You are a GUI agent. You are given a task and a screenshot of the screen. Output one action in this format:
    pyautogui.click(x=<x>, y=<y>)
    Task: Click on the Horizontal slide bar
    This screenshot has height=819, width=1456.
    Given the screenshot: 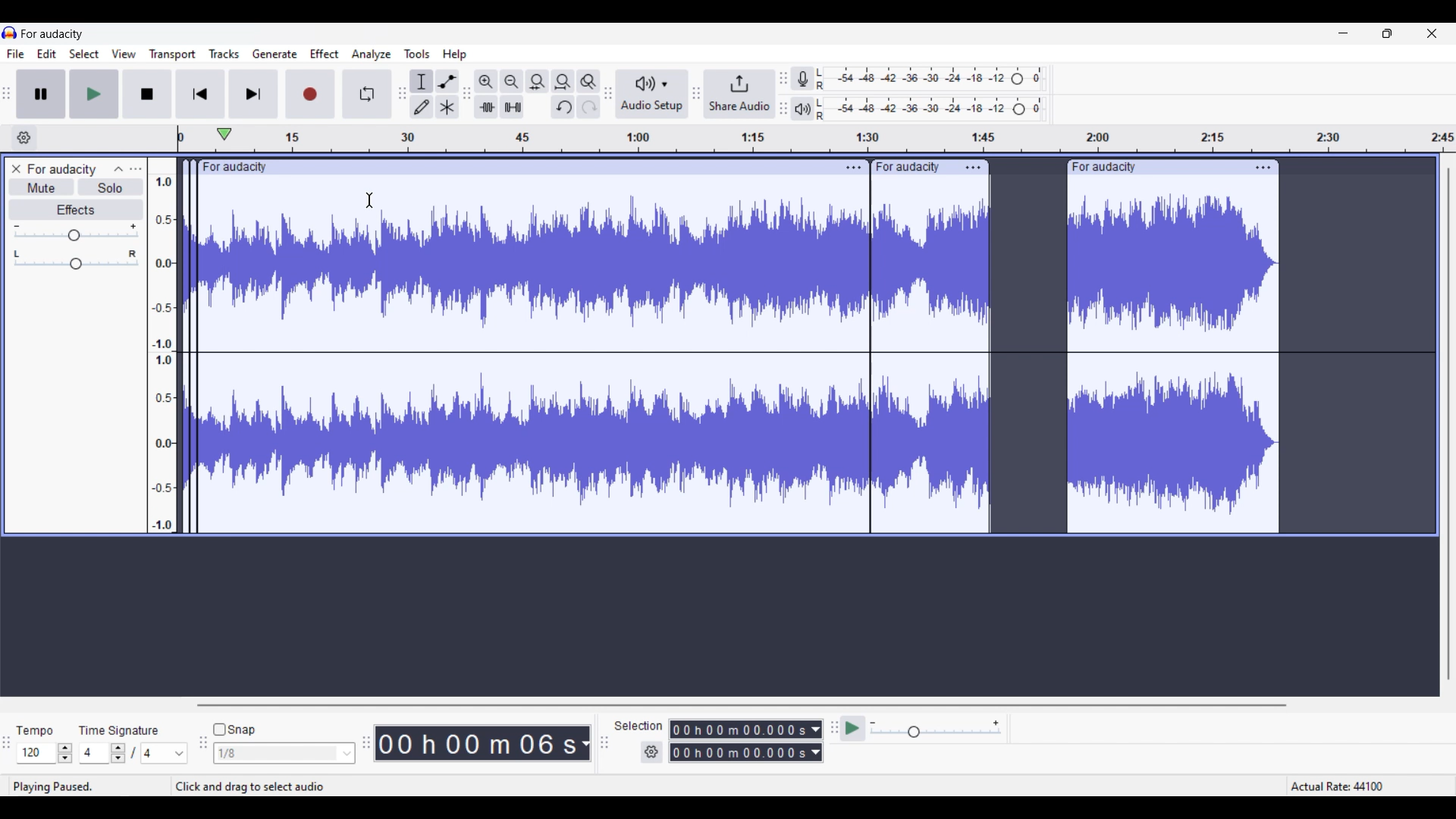 What is the action you would take?
    pyautogui.click(x=739, y=705)
    